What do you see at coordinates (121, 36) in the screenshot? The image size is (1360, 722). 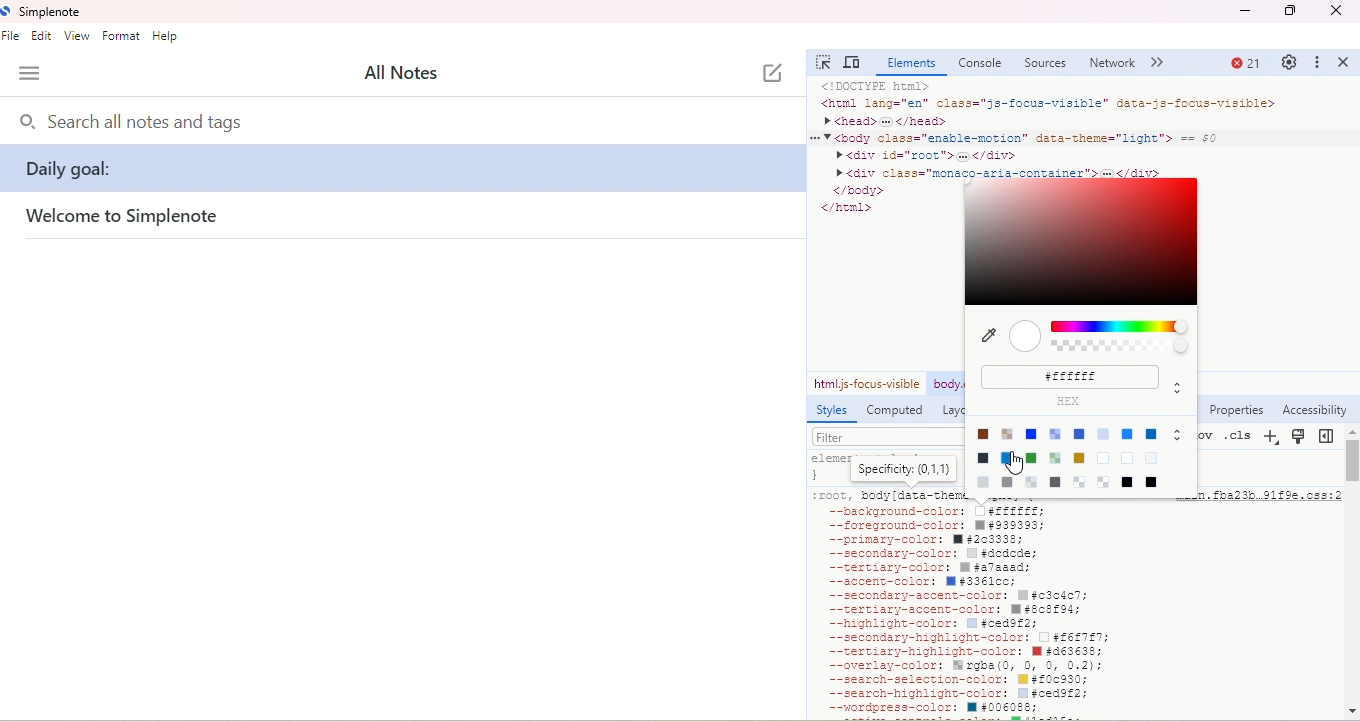 I see `format` at bounding box center [121, 36].